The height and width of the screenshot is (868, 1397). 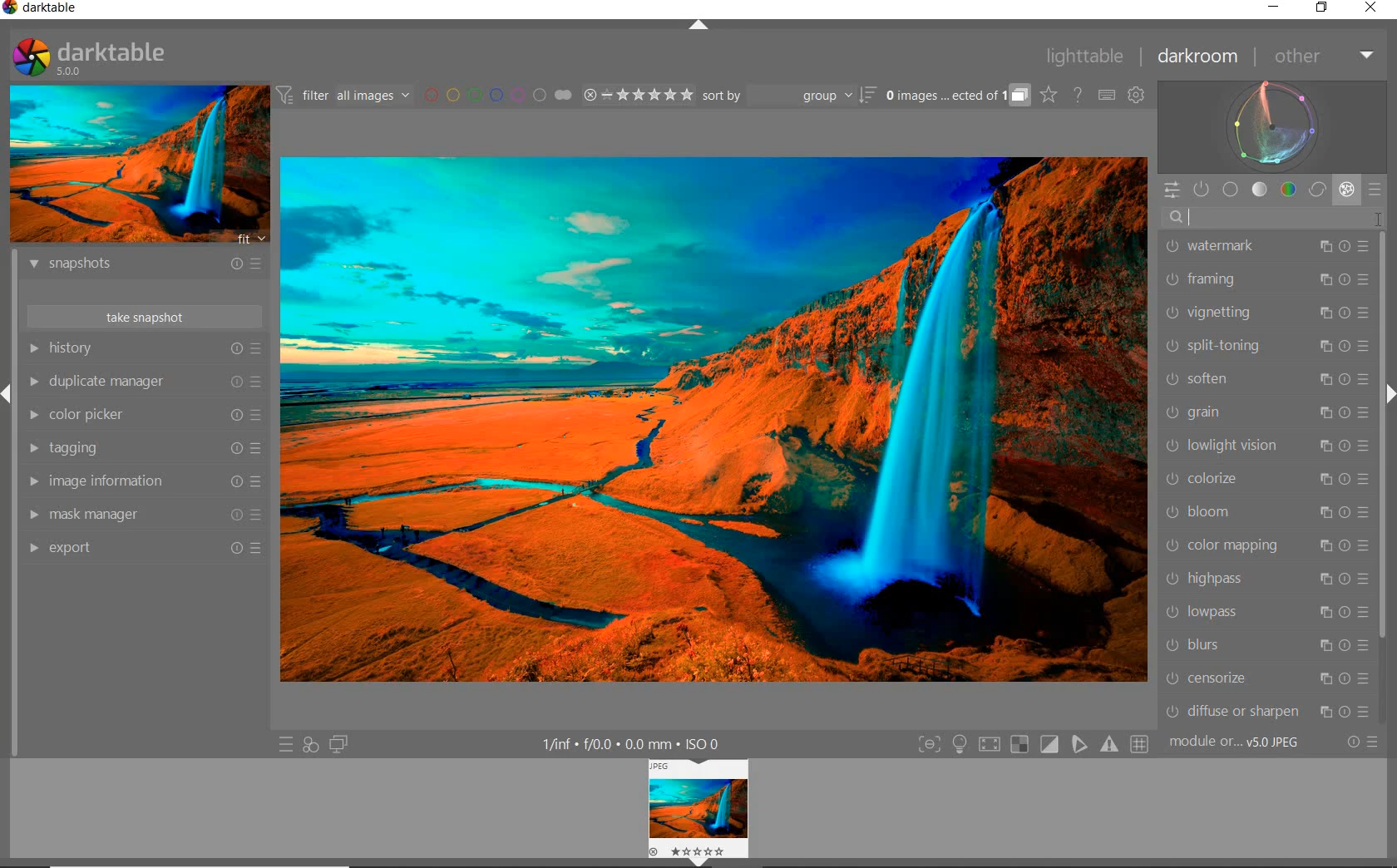 I want to click on RANGE RATING OF SELECTED IMAGES, so click(x=638, y=94).